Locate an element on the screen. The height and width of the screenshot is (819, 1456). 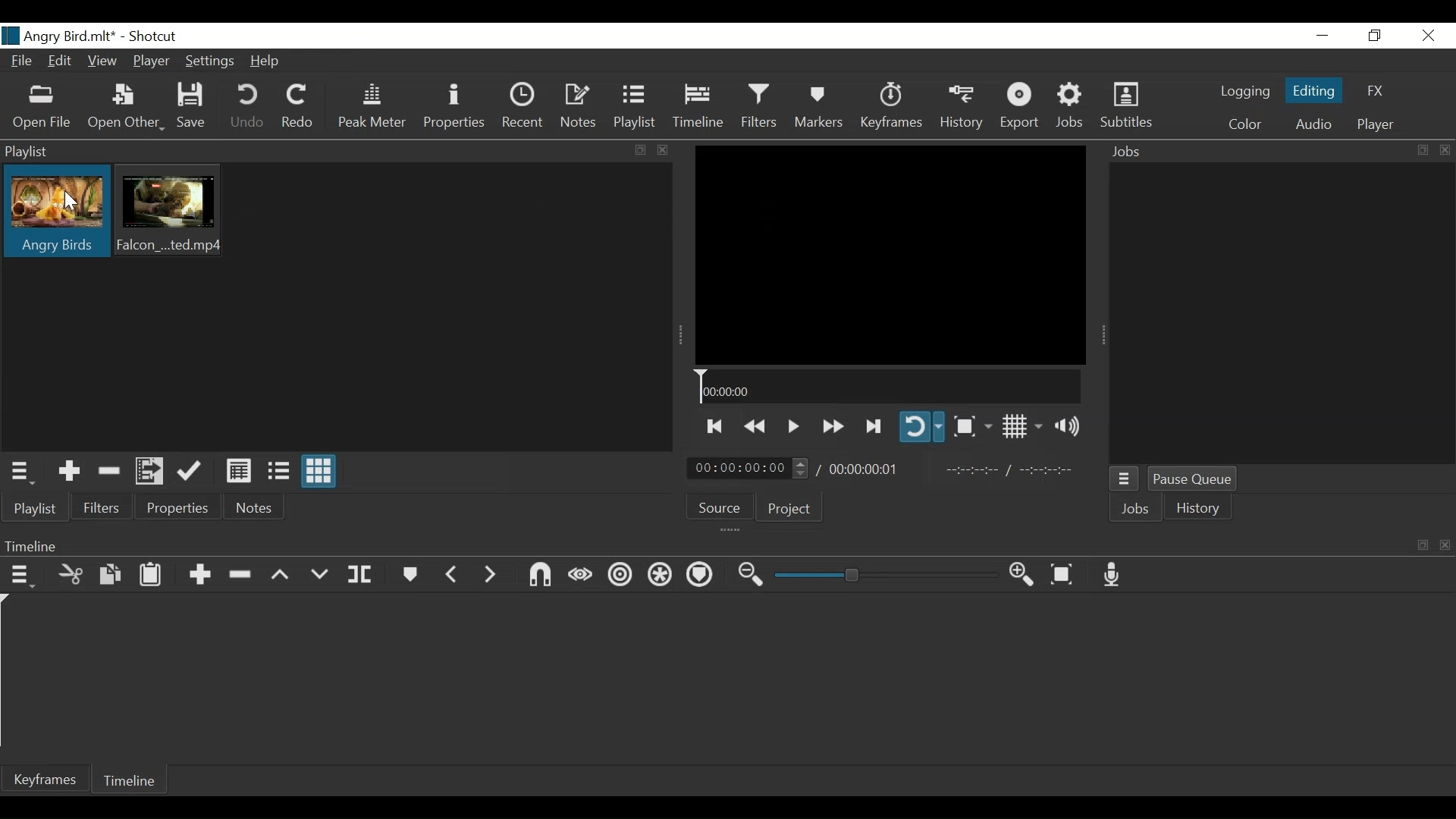
Ripple markers is located at coordinates (699, 576).